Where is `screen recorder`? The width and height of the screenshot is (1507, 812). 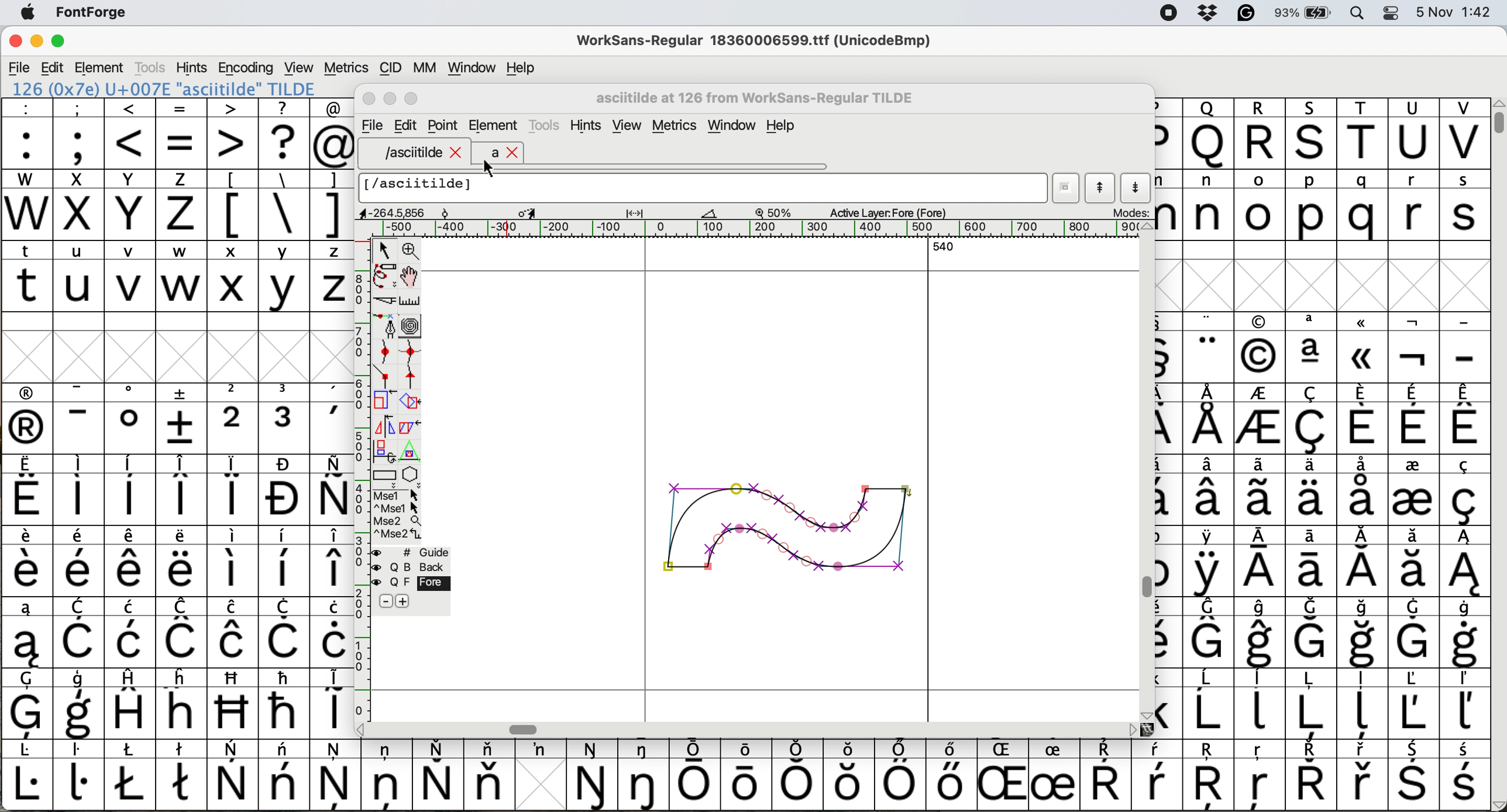
screen recorder is located at coordinates (1167, 14).